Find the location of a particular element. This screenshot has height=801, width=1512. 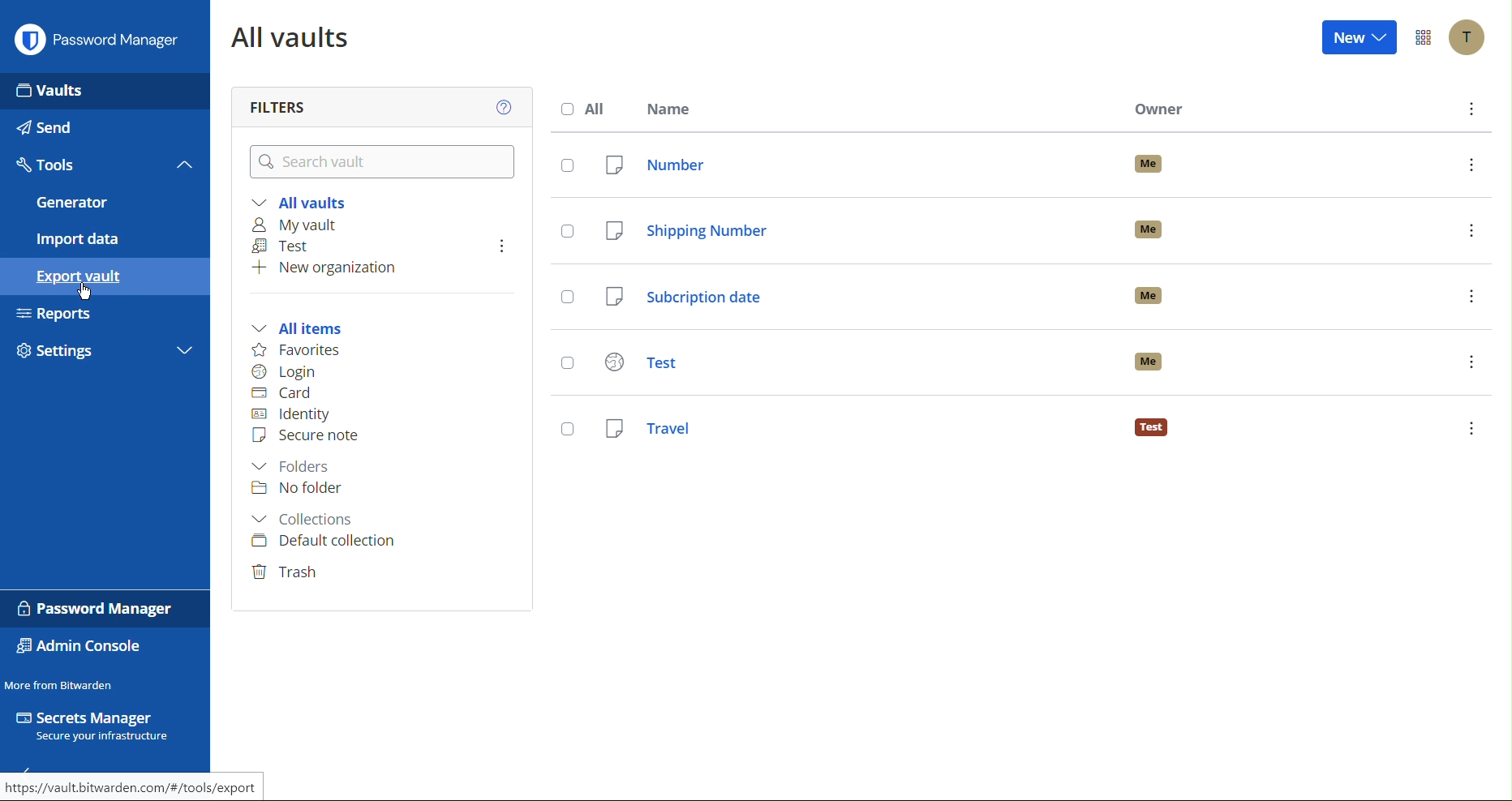

Search Bar is located at coordinates (373, 160).